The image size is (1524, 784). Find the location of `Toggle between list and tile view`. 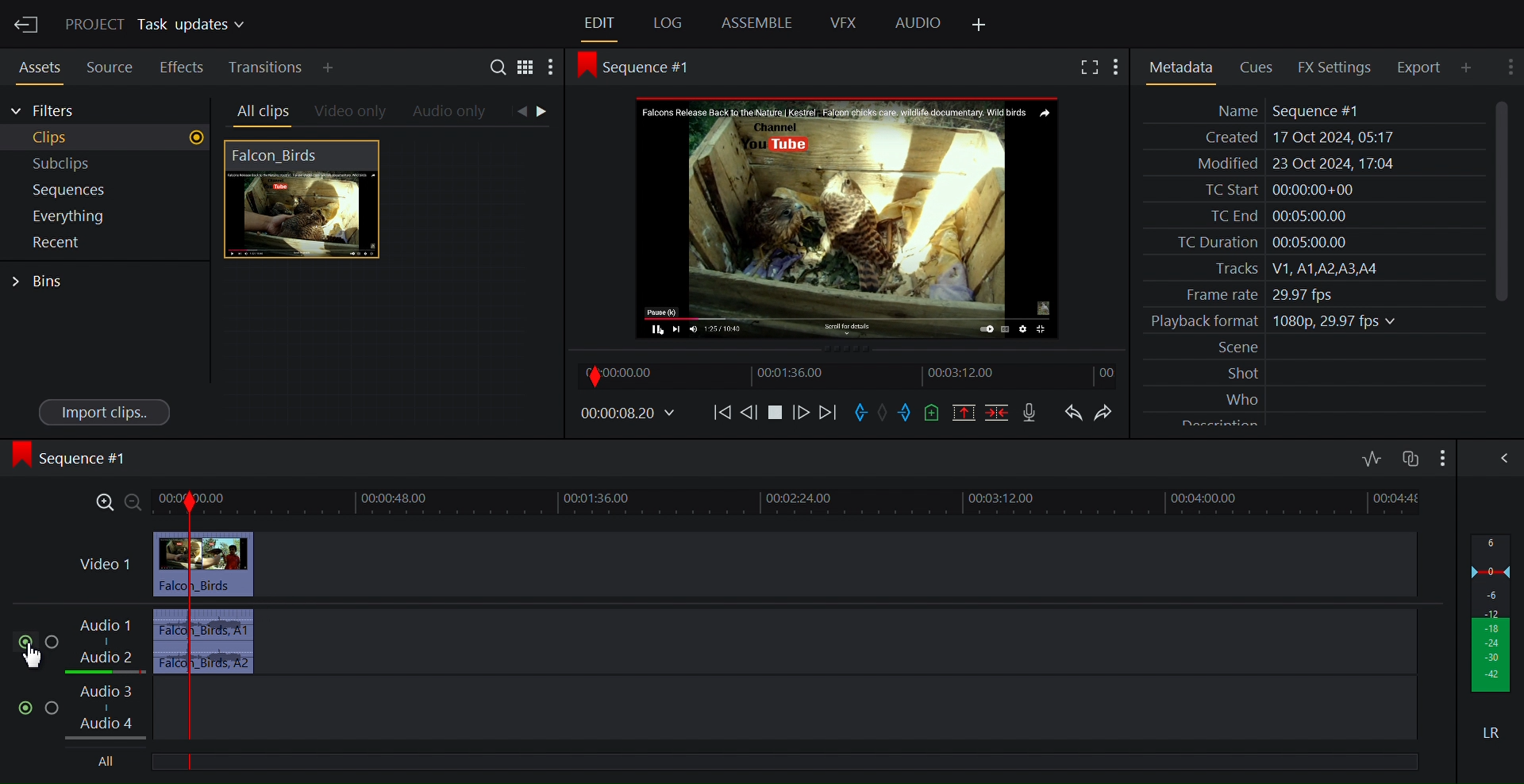

Toggle between list and tile view is located at coordinates (525, 70).